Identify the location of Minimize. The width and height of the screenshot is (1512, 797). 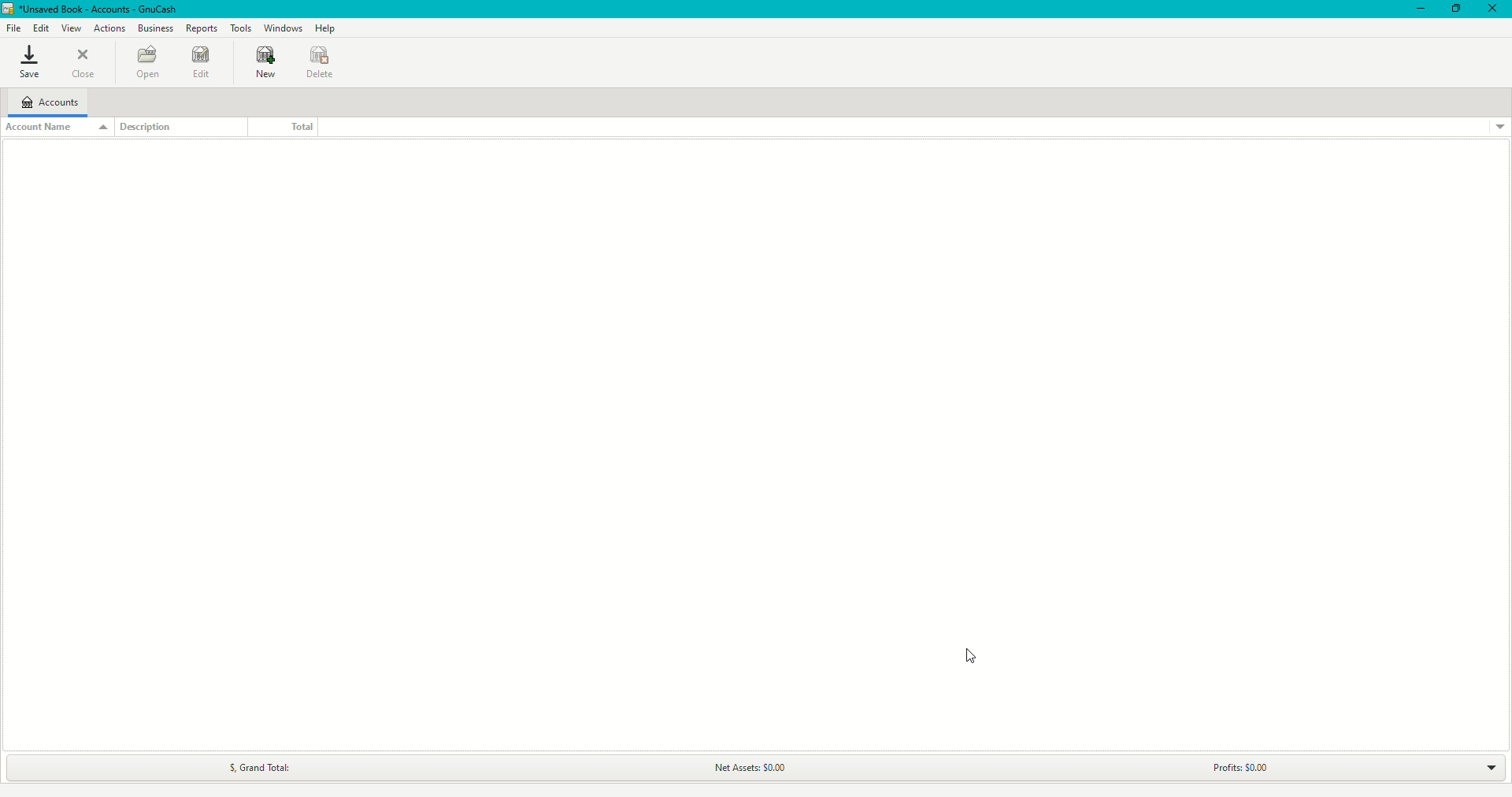
(1417, 9).